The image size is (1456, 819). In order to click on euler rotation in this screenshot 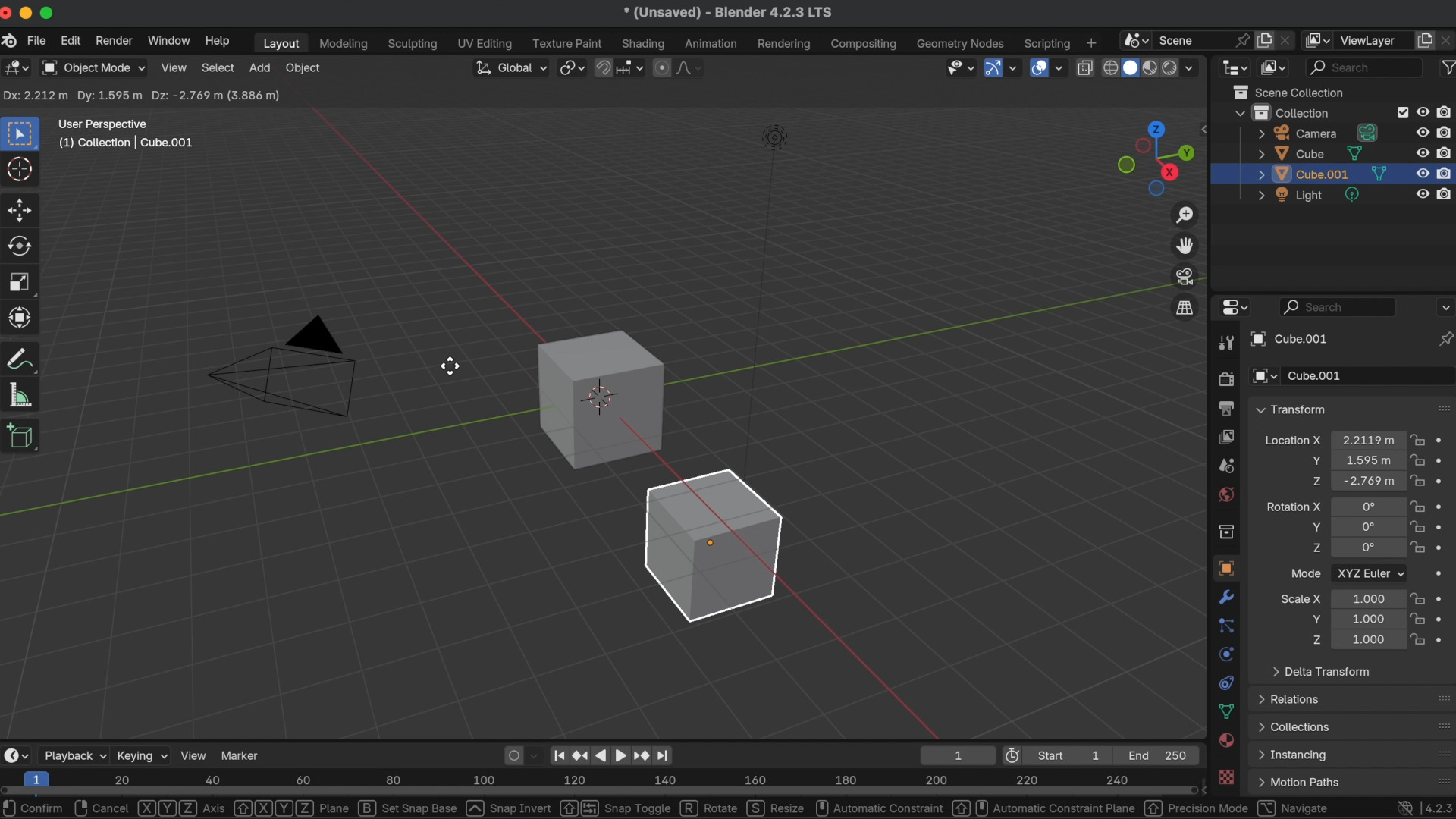, I will do `click(1368, 549)`.